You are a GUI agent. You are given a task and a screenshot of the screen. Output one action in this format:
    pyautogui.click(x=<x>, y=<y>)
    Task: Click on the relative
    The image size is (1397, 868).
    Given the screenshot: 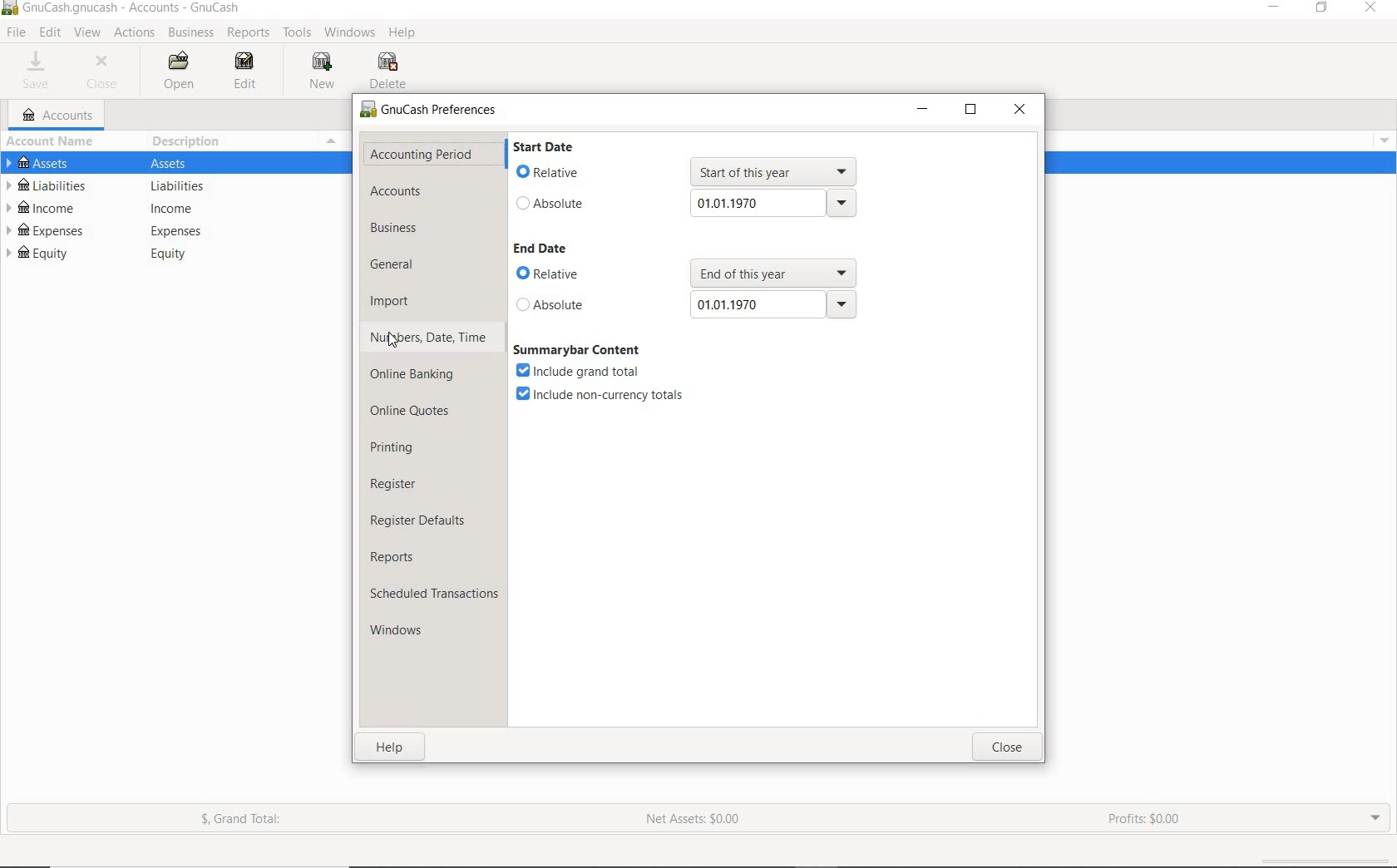 What is the action you would take?
    pyautogui.click(x=549, y=274)
    